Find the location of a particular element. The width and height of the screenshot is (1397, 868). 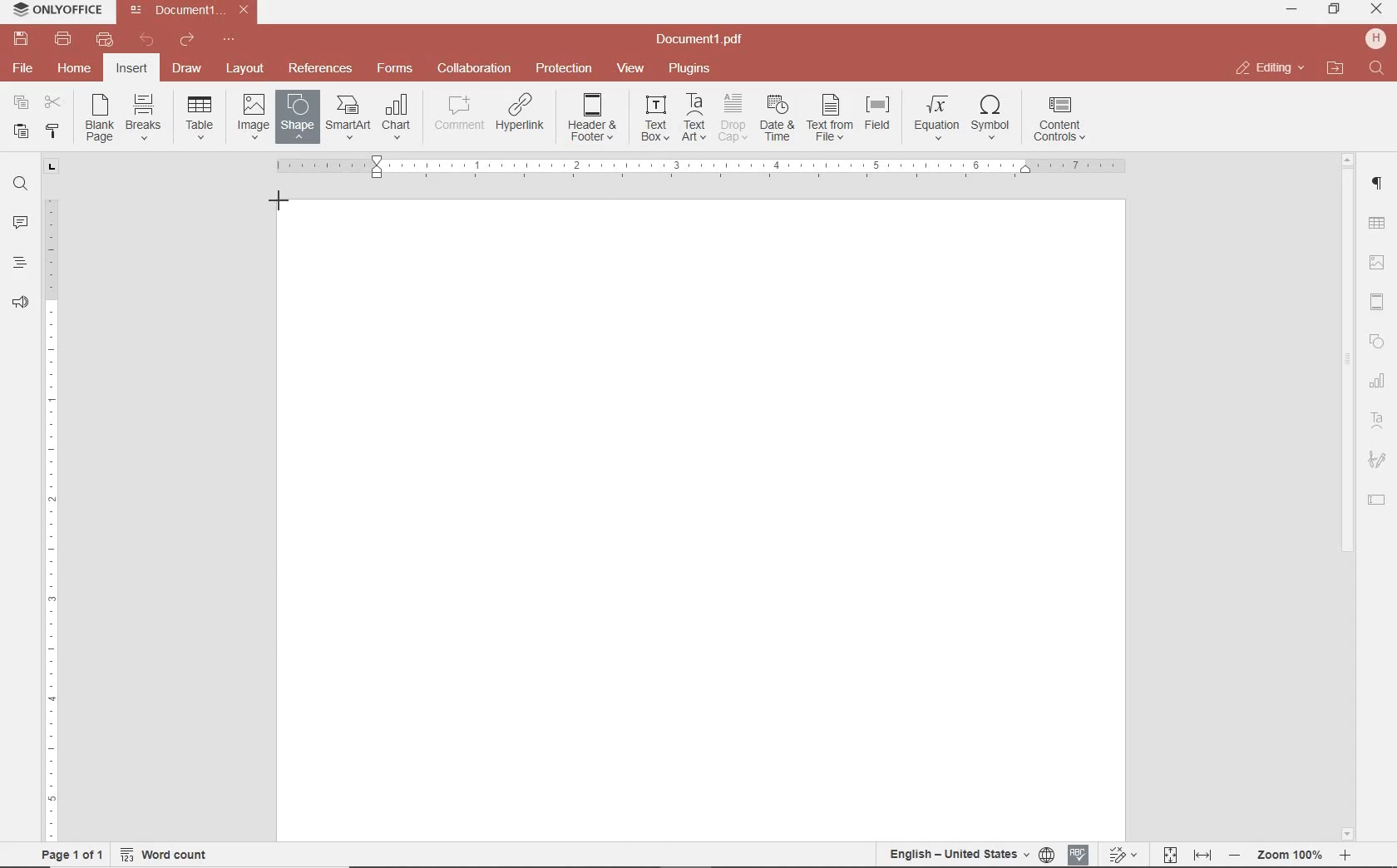

collaboration is located at coordinates (474, 69).